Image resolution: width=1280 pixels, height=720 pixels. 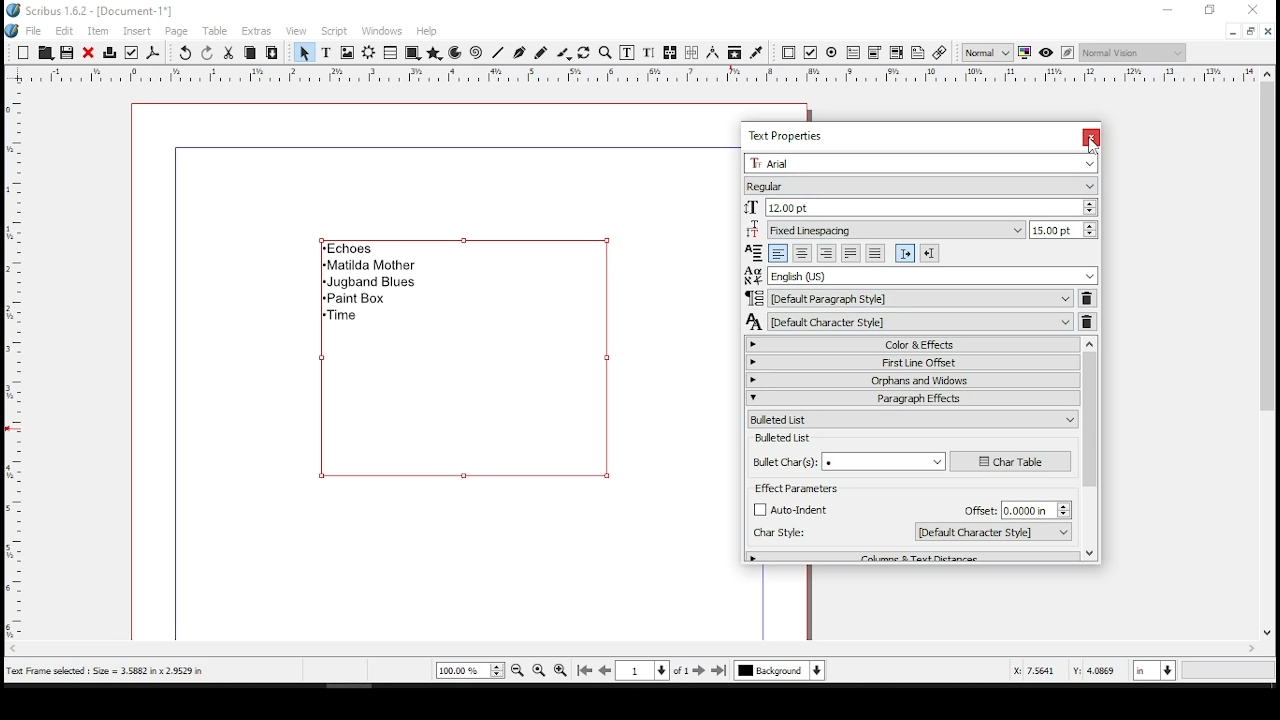 I want to click on jugband blues, so click(x=369, y=284).